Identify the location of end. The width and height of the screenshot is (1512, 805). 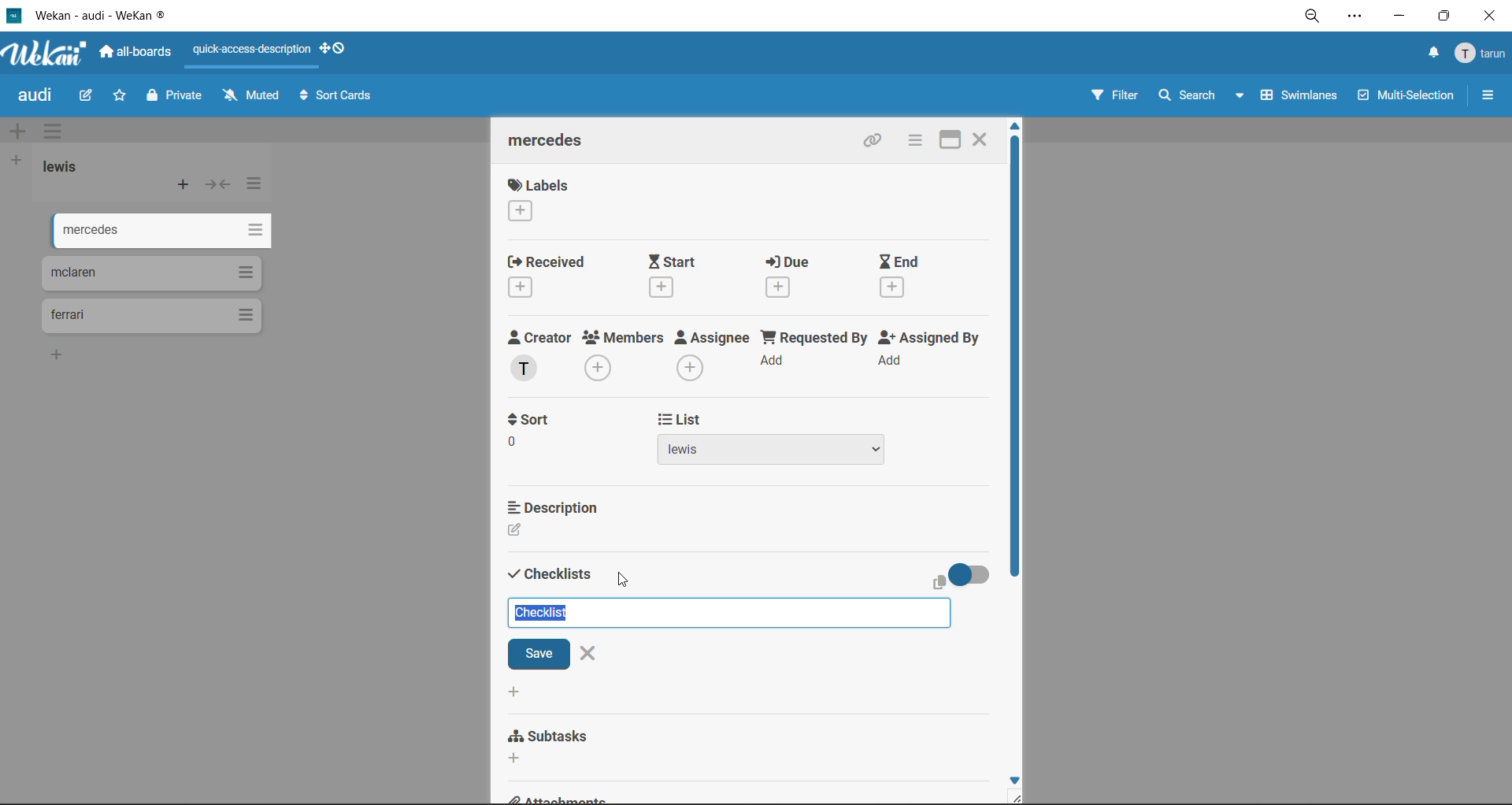
(902, 277).